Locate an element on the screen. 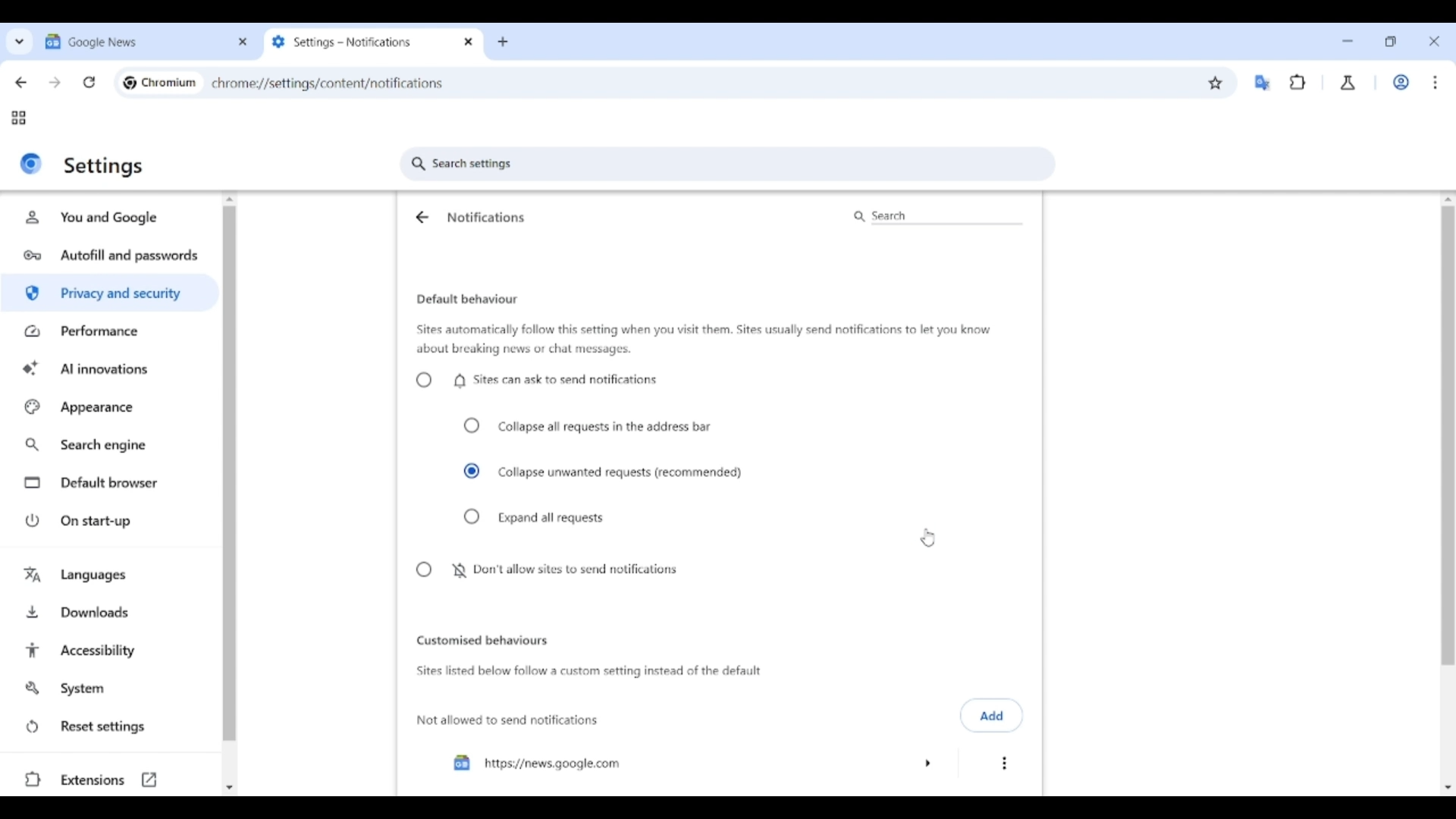  System is located at coordinates (109, 689).